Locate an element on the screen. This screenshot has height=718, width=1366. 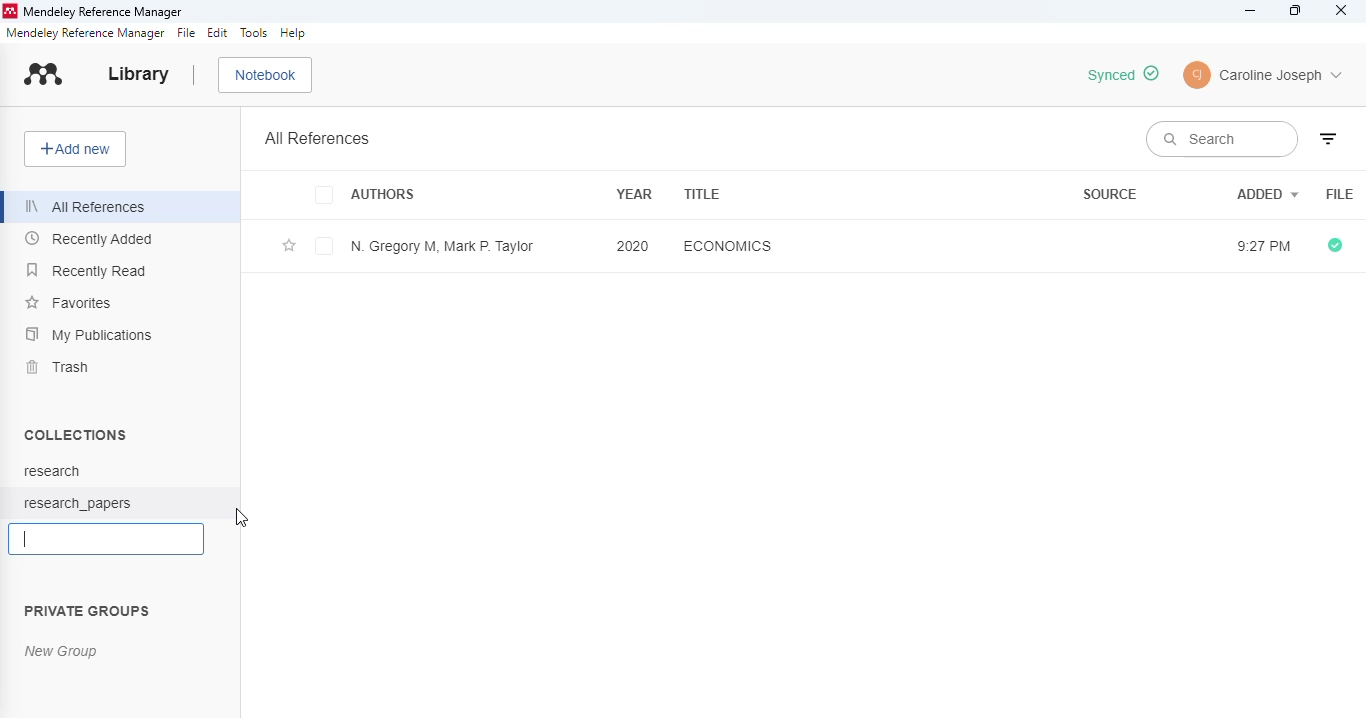
recently read is located at coordinates (87, 270).